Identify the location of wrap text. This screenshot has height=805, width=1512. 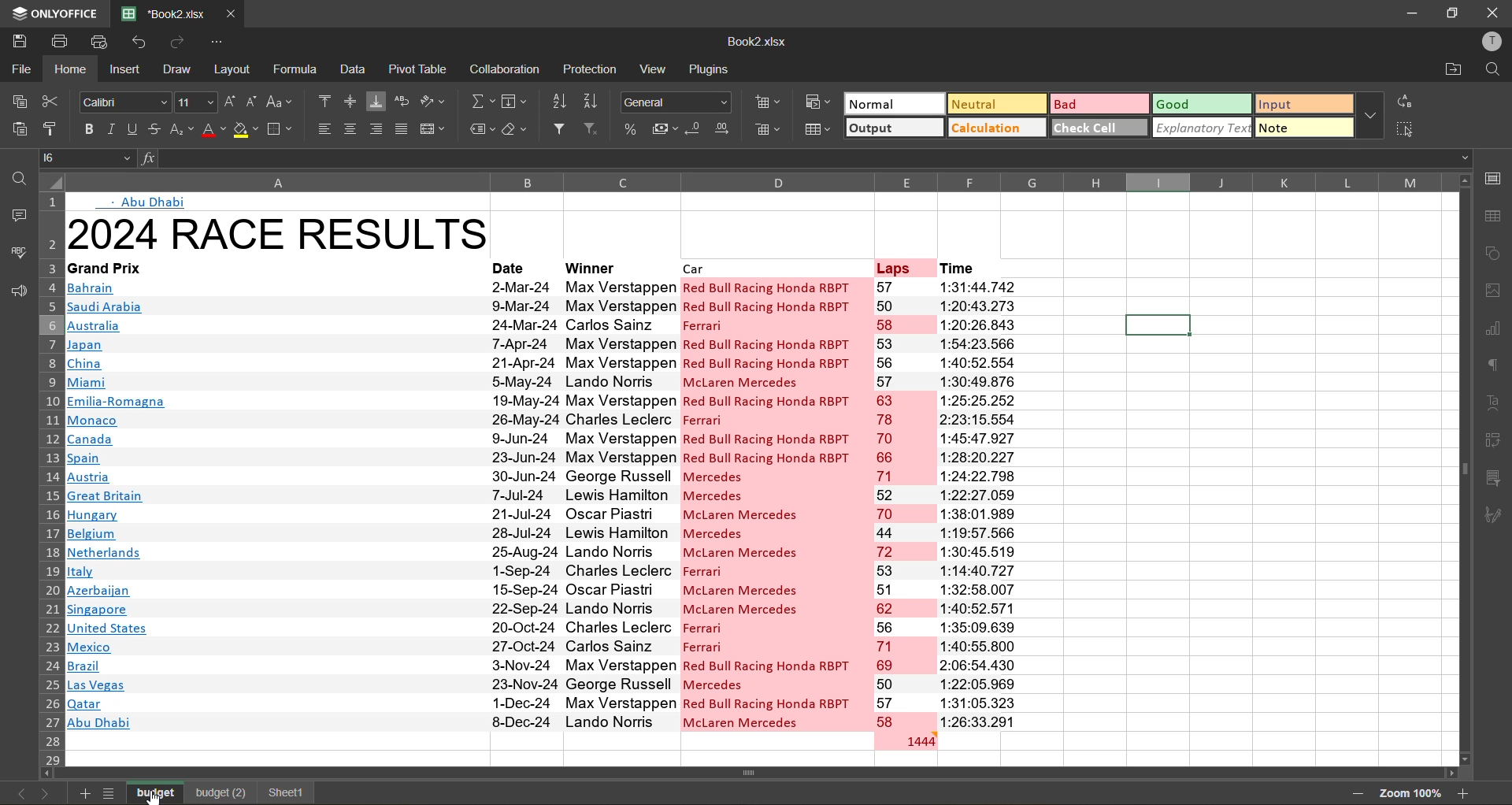
(406, 102).